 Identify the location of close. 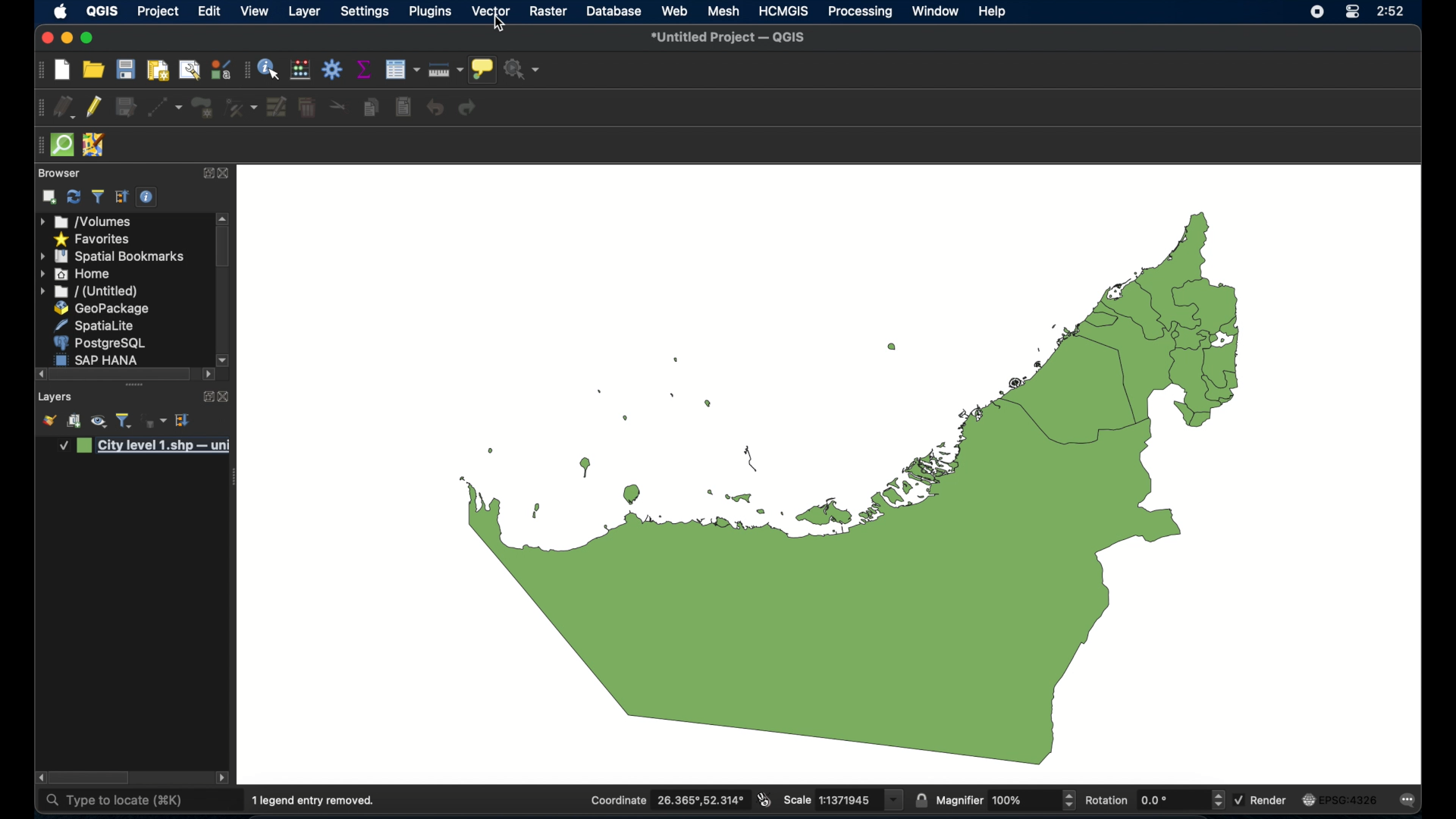
(225, 174).